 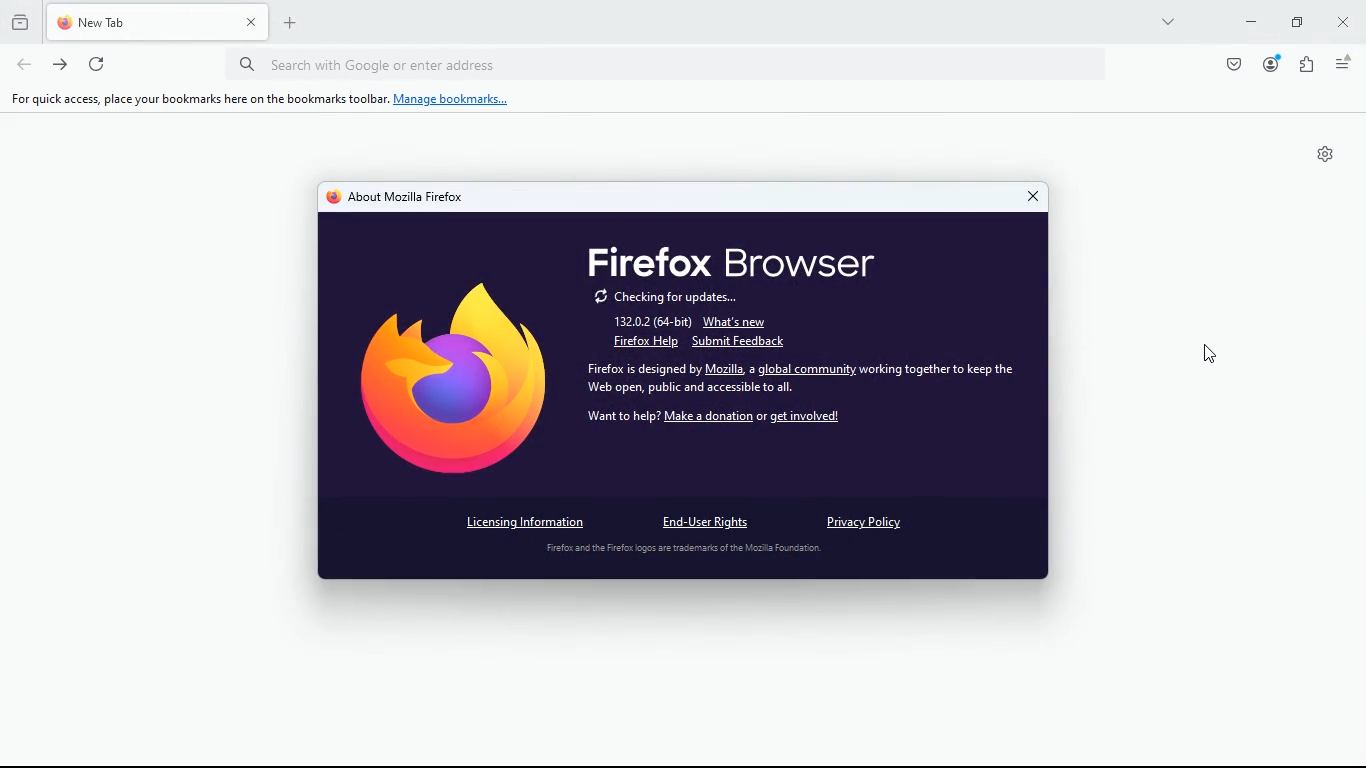 I want to click on maximize, so click(x=1293, y=22).